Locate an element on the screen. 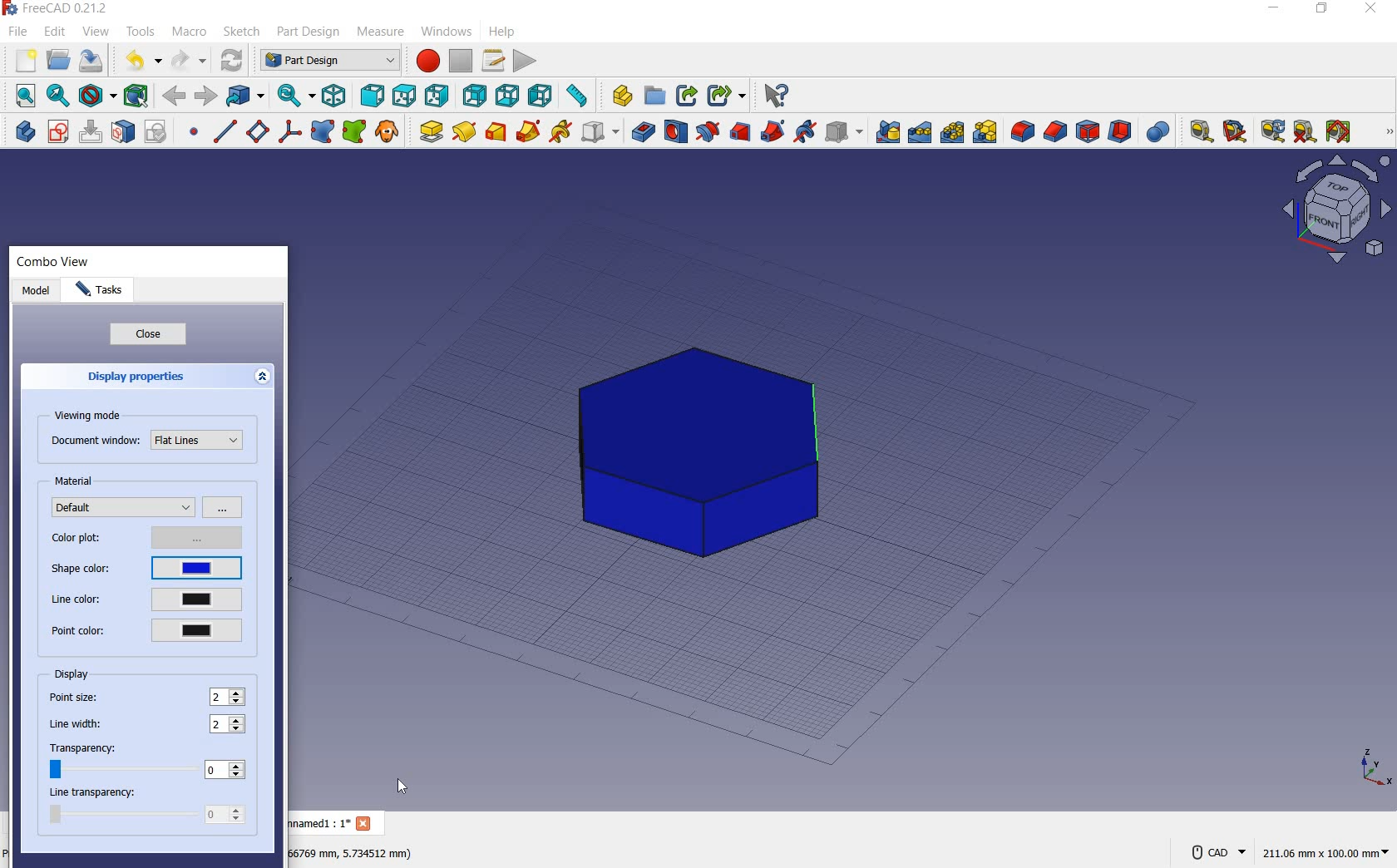 This screenshot has height=868, width=1397. go to linked object is located at coordinates (247, 96).